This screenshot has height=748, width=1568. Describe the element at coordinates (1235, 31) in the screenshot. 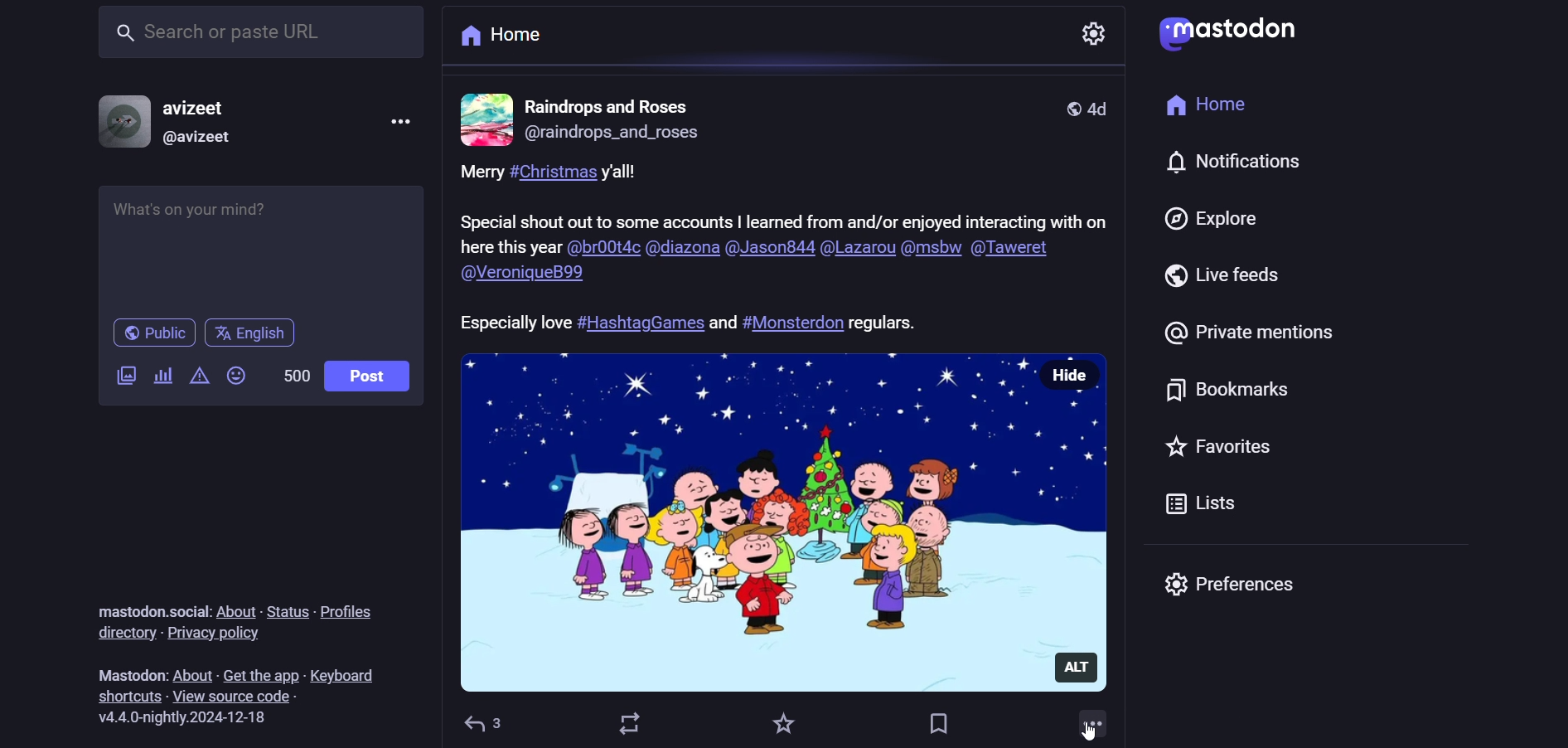

I see `logo` at that location.